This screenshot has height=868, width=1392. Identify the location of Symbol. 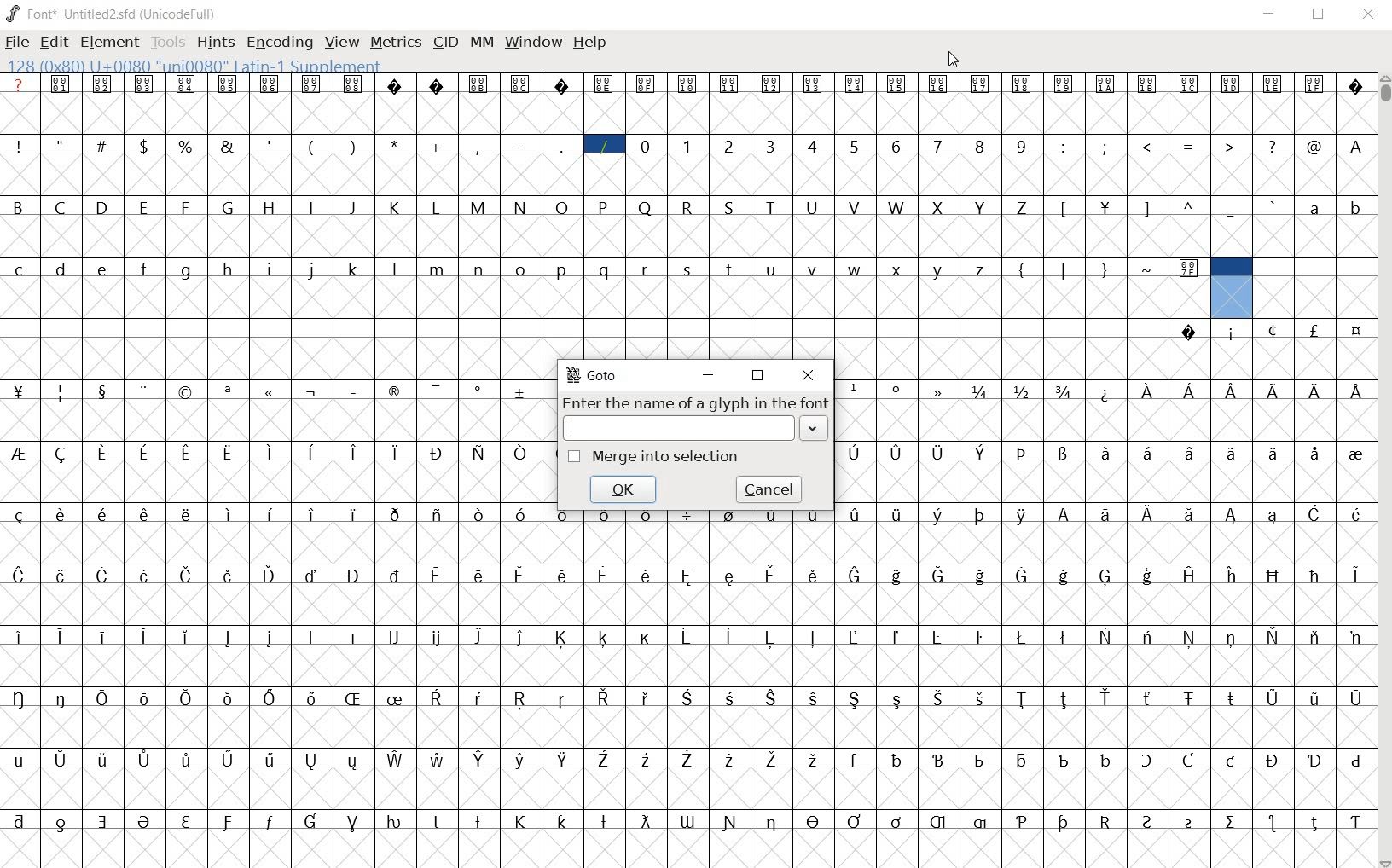
(272, 514).